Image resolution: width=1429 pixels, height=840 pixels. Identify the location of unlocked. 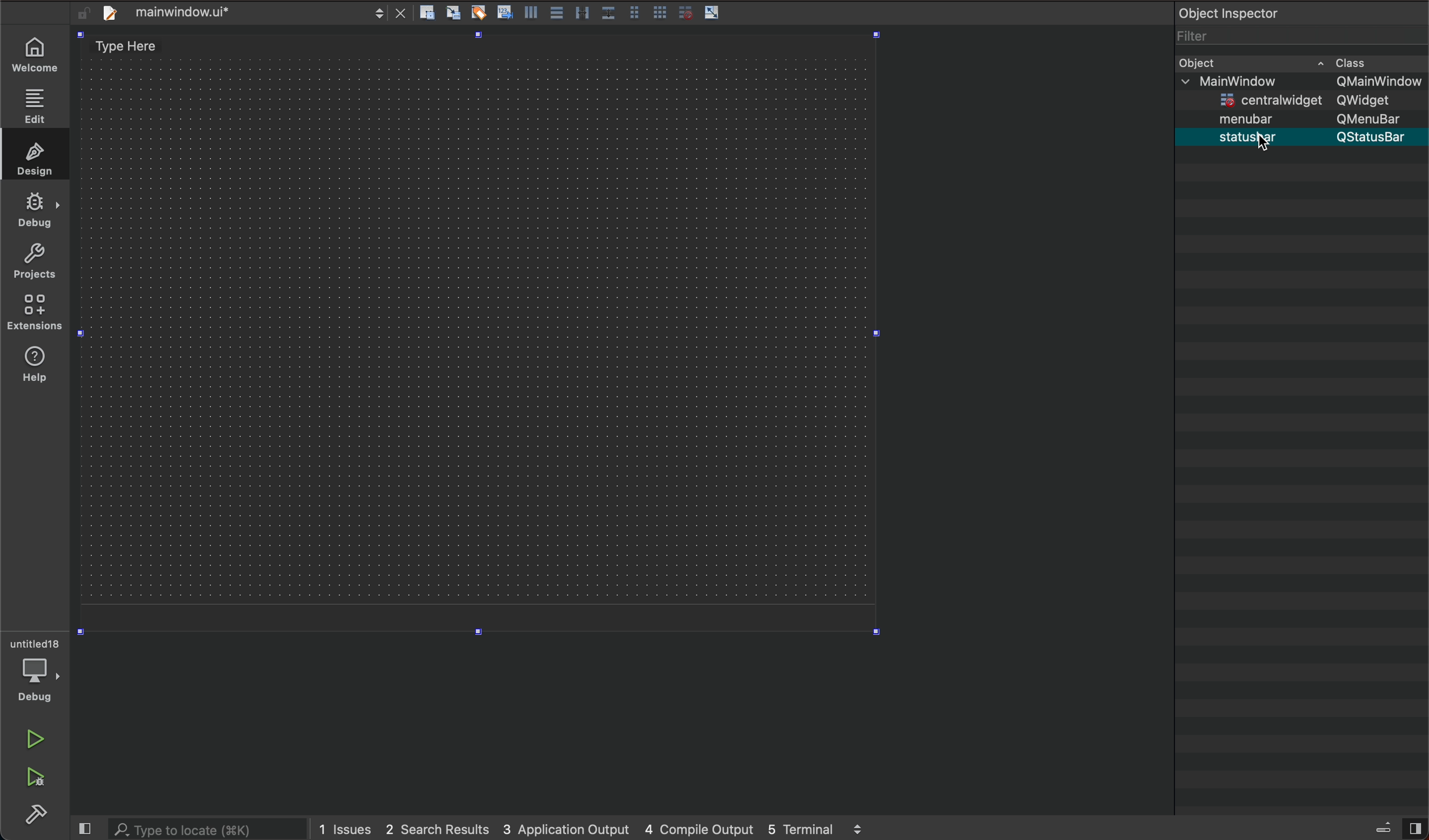
(81, 12).